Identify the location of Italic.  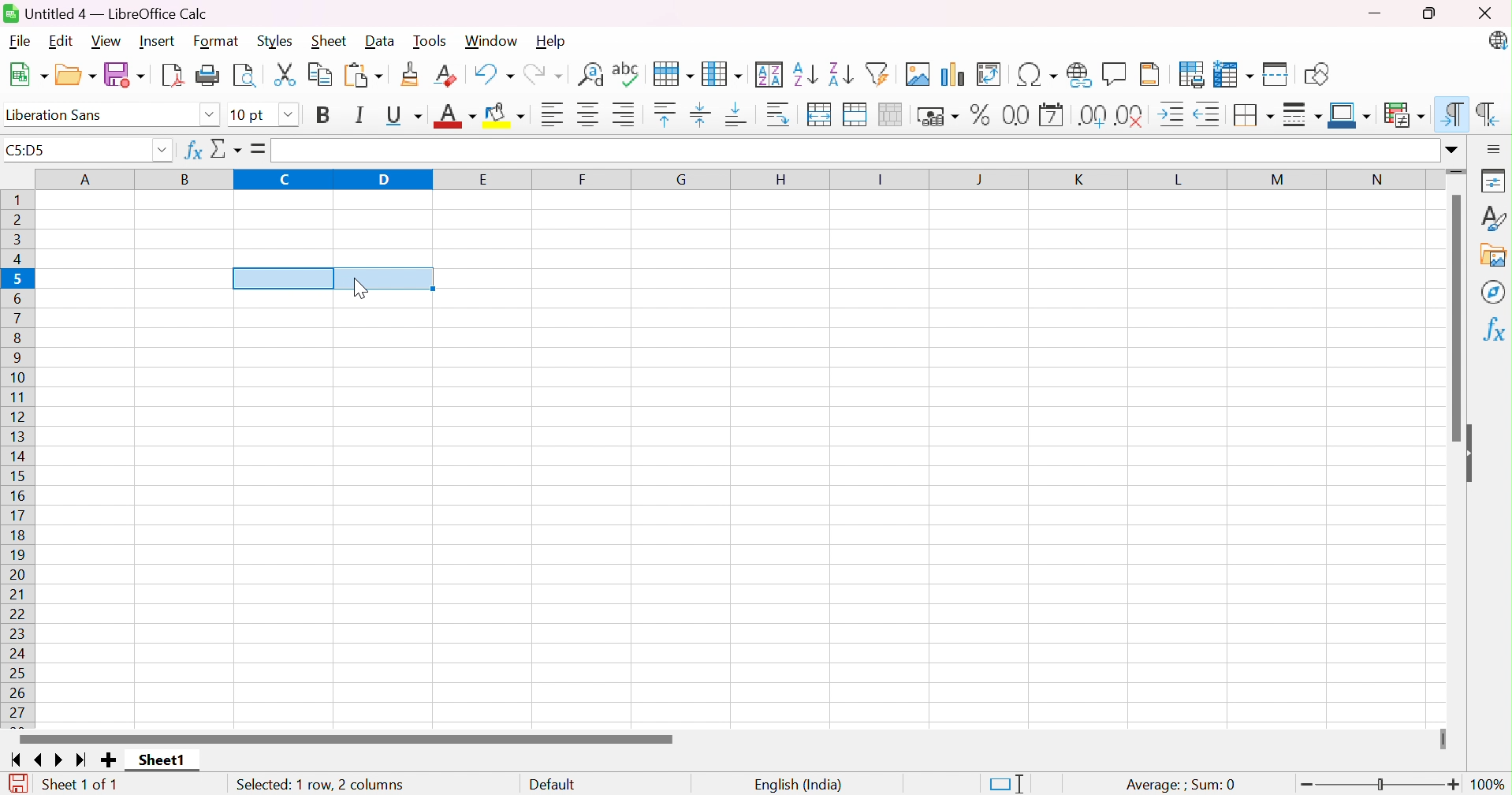
(362, 114).